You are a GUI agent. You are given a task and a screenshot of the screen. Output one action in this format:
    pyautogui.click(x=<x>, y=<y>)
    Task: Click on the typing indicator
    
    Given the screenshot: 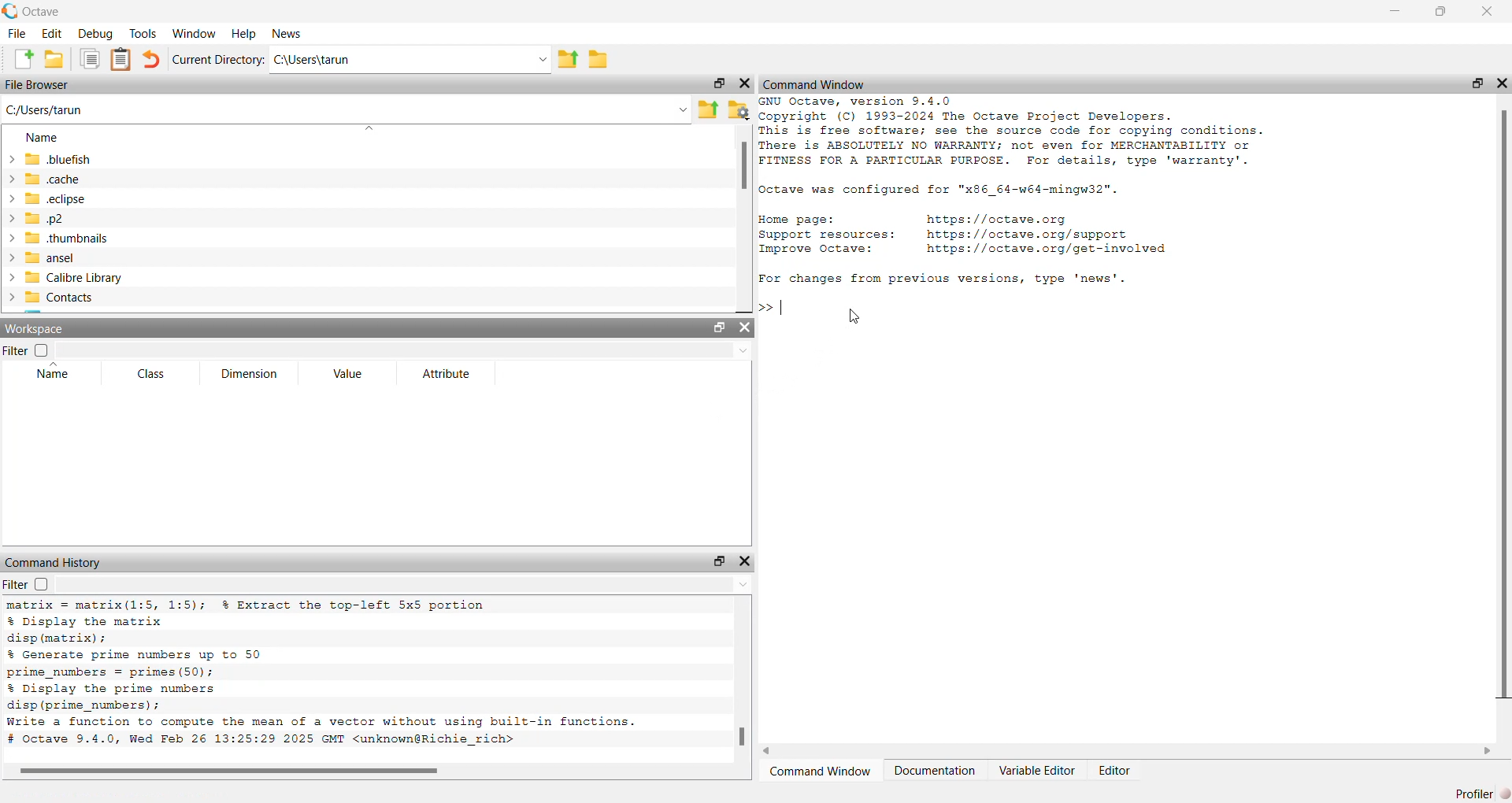 What is the action you would take?
    pyautogui.click(x=784, y=306)
    